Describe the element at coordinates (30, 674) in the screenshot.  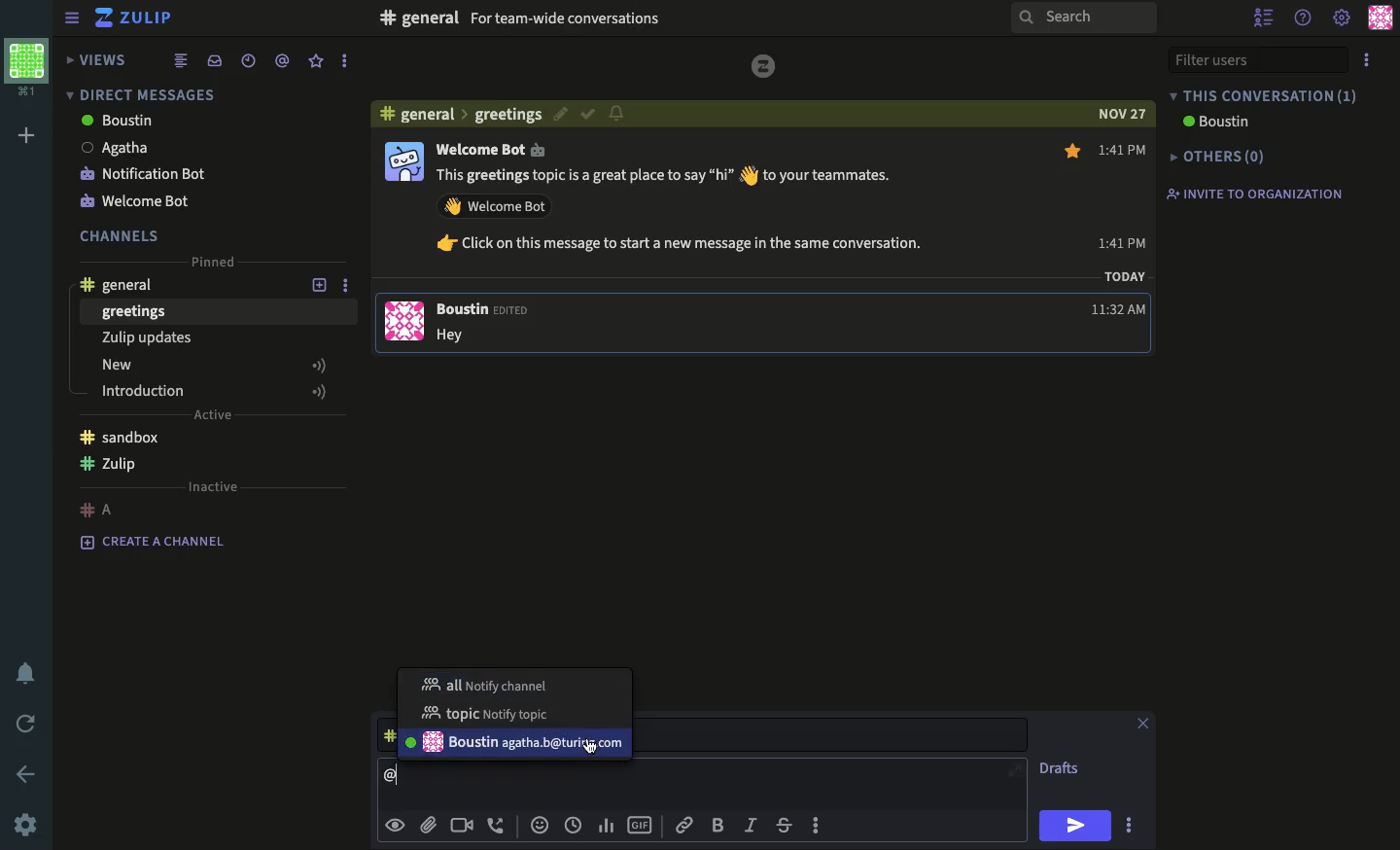
I see `notification` at that location.